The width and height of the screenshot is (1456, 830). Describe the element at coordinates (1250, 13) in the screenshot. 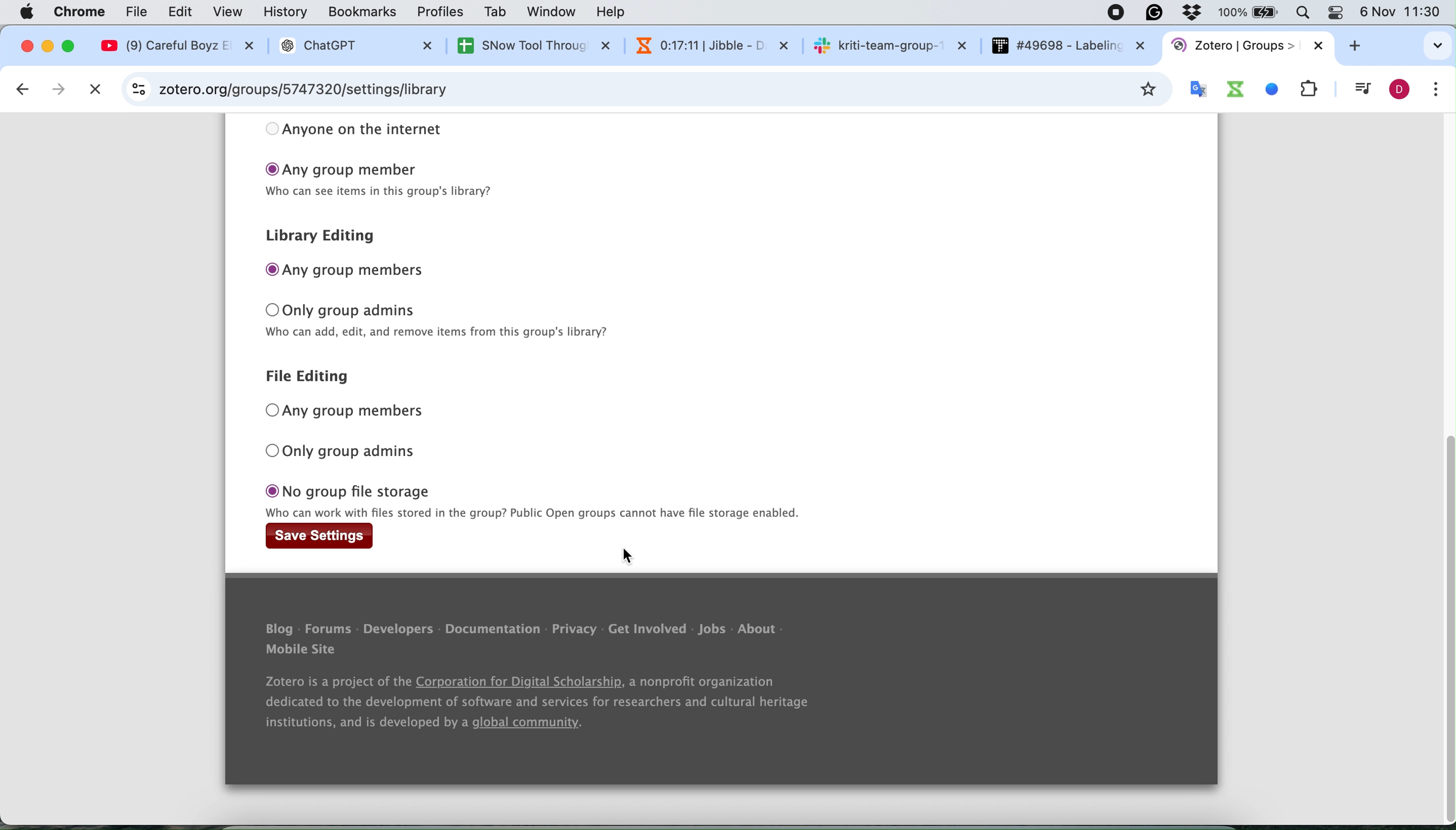

I see `Battery percentage` at that location.